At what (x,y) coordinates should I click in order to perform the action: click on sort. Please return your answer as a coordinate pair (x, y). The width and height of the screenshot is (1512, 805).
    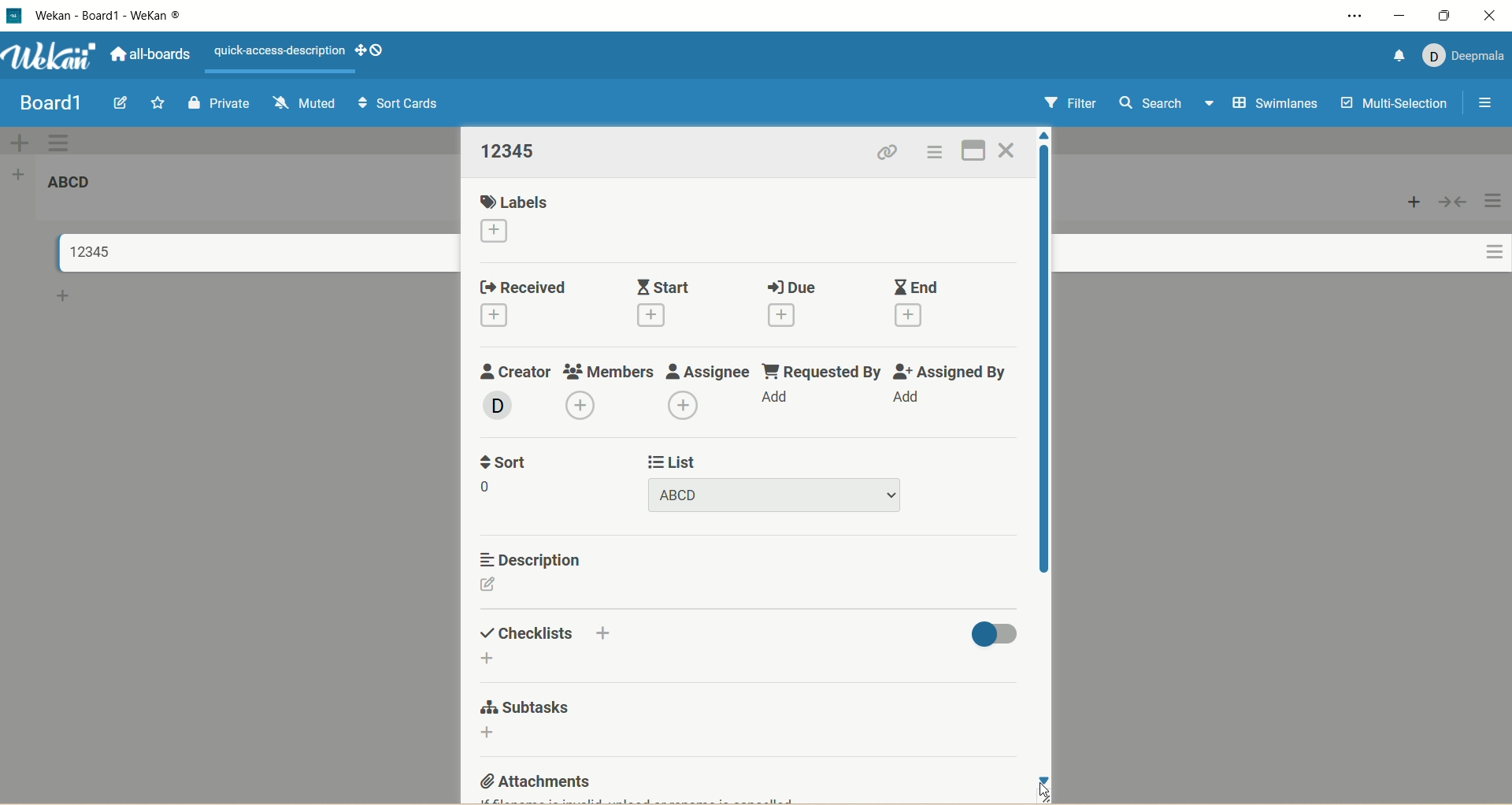
    Looking at the image, I should click on (506, 463).